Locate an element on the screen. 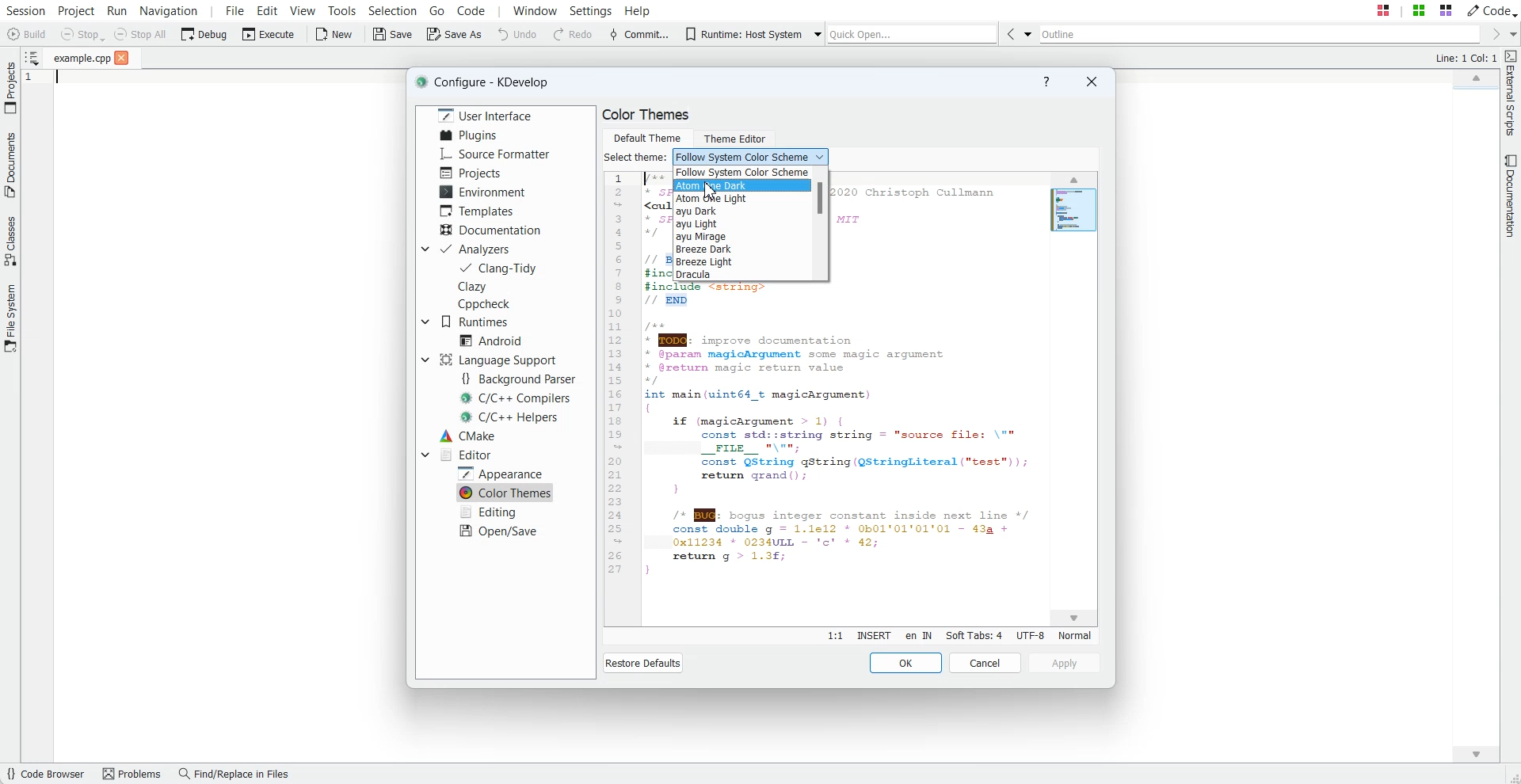 The image size is (1521, 784). Restore Default is located at coordinates (642, 663).